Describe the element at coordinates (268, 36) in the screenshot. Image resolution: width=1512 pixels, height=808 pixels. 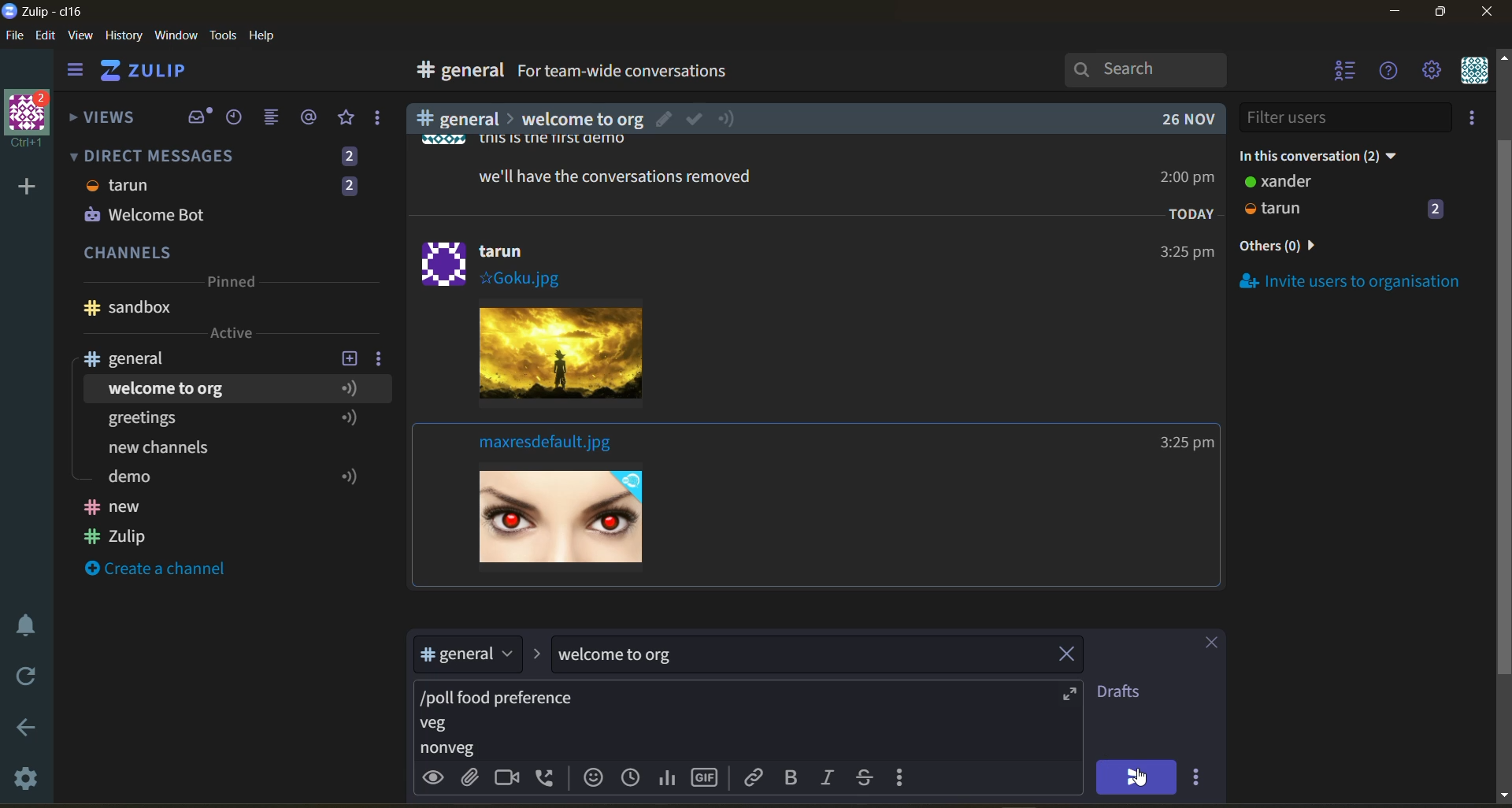
I see `help` at that location.